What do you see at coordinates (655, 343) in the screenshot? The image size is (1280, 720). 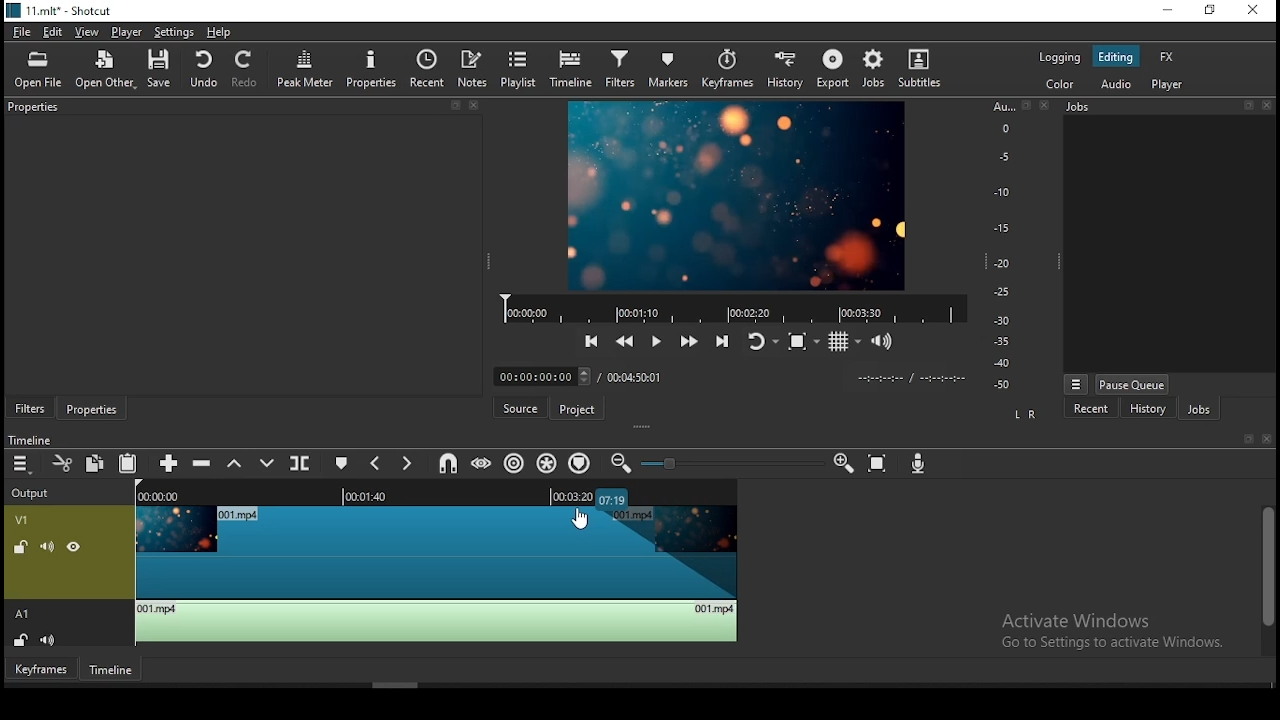 I see `play/pause` at bounding box center [655, 343].